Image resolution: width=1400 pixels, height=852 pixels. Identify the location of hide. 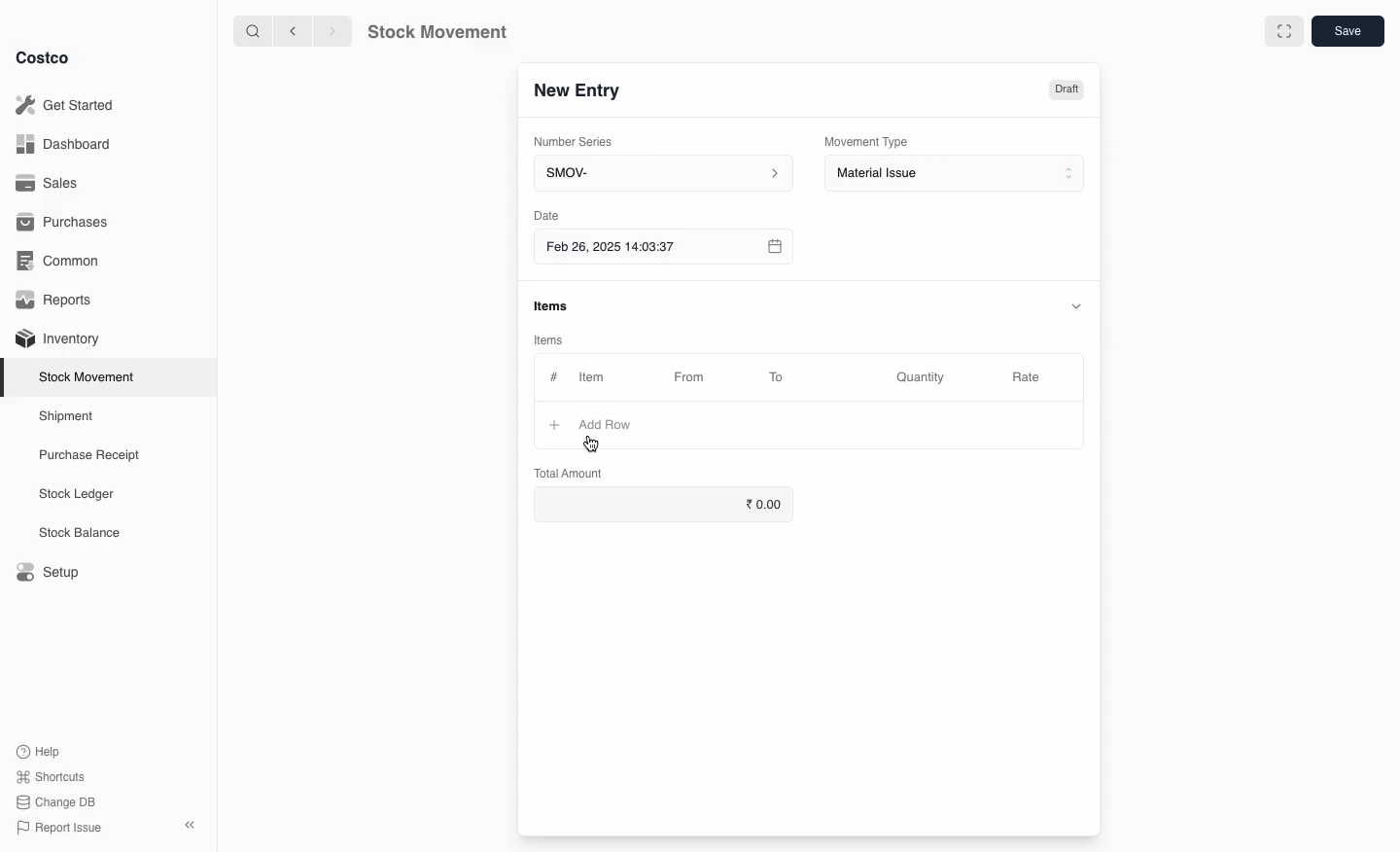
(1079, 304).